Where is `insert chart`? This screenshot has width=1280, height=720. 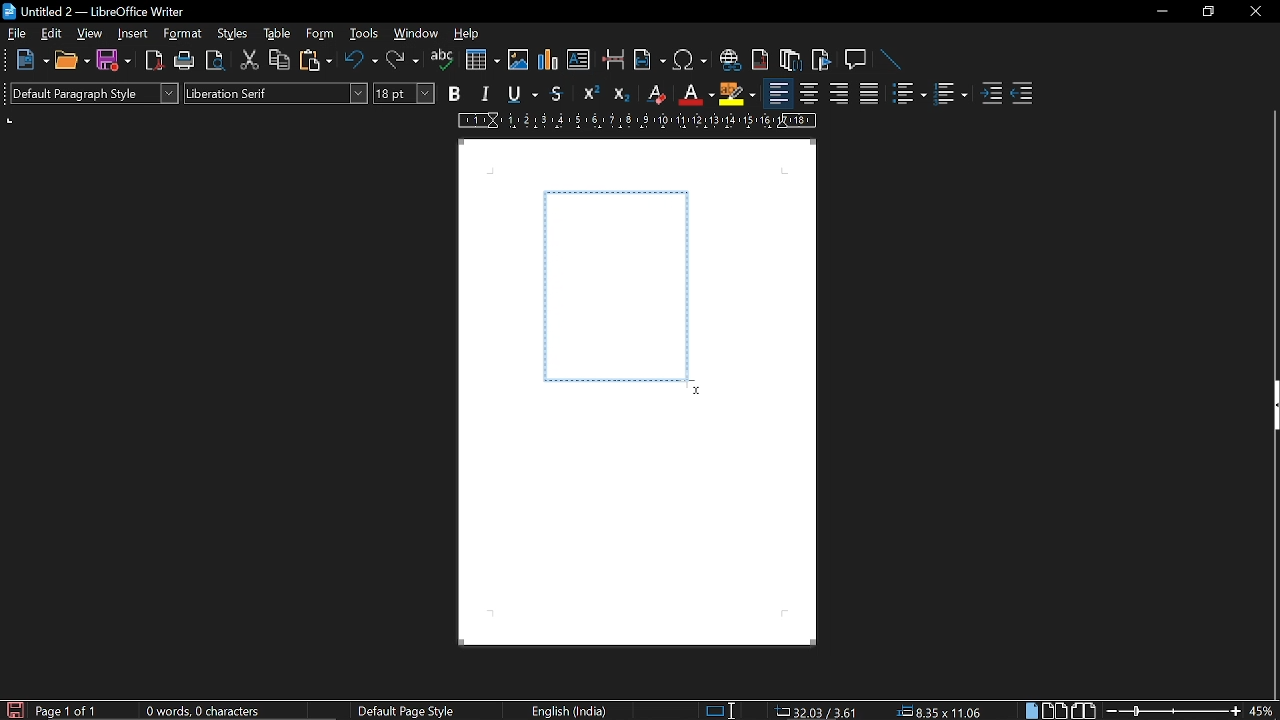 insert chart is located at coordinates (483, 60).